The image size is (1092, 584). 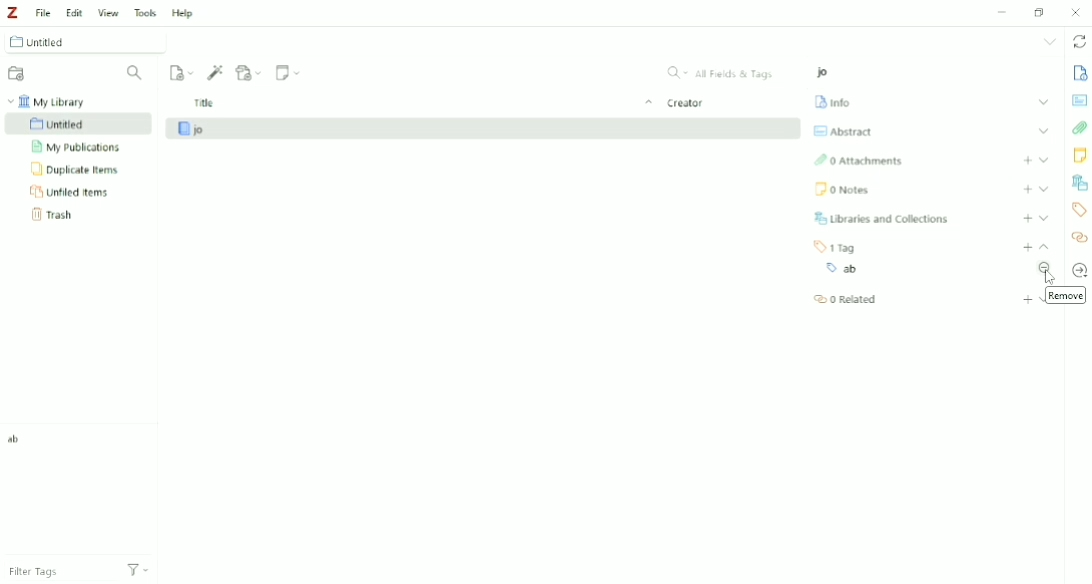 What do you see at coordinates (71, 191) in the screenshot?
I see `Unfiled Items` at bounding box center [71, 191].